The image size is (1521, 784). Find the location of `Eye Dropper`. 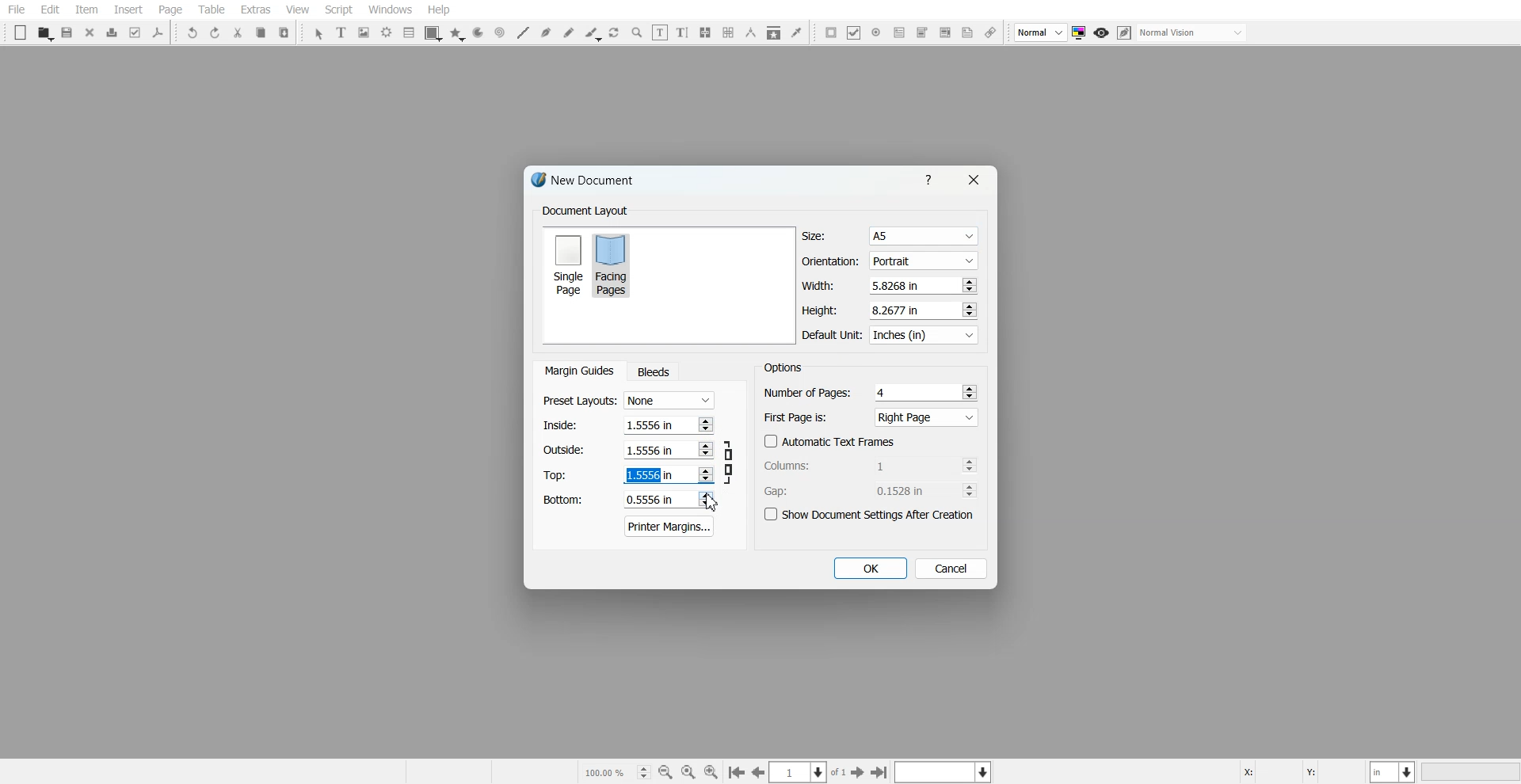

Eye Dropper is located at coordinates (796, 32).